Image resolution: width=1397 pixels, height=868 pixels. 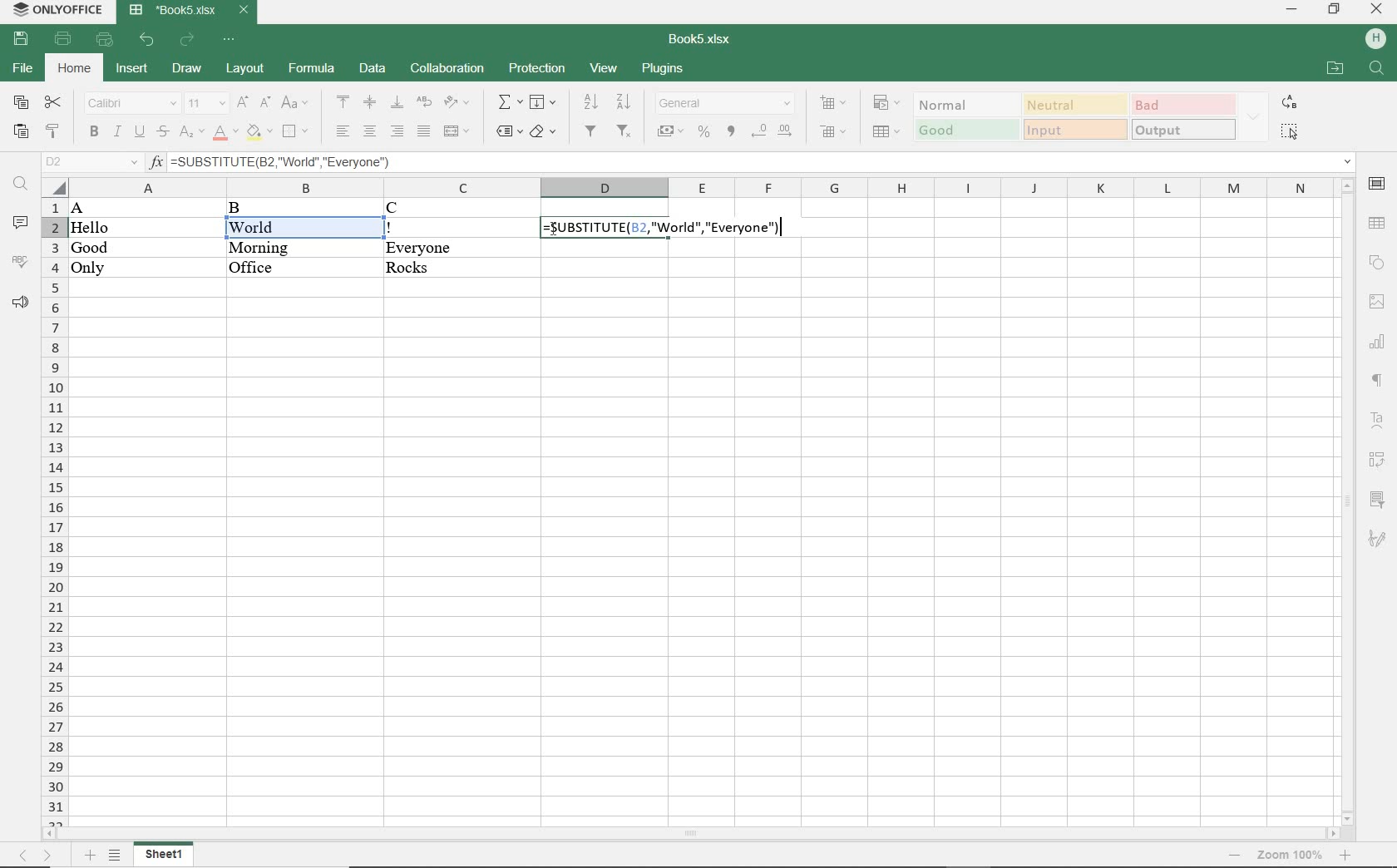 I want to click on C, so click(x=448, y=209).